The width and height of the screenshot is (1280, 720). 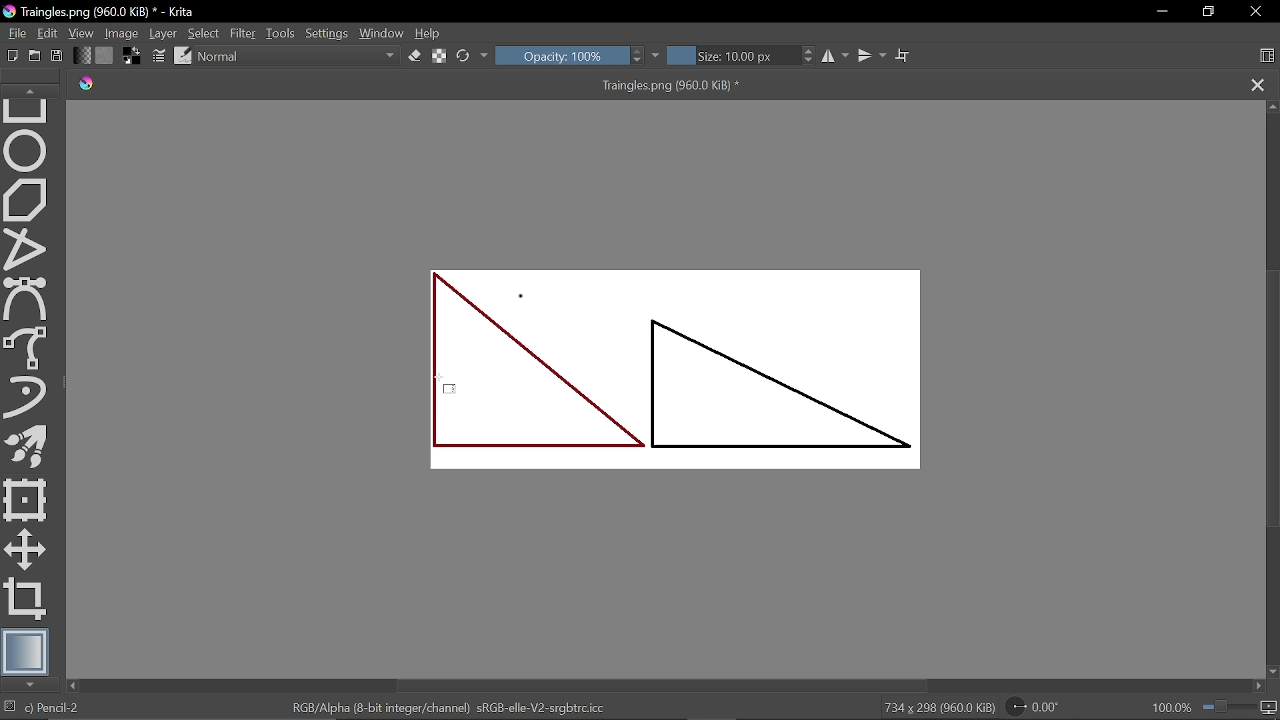 What do you see at coordinates (81, 32) in the screenshot?
I see `View` at bounding box center [81, 32].